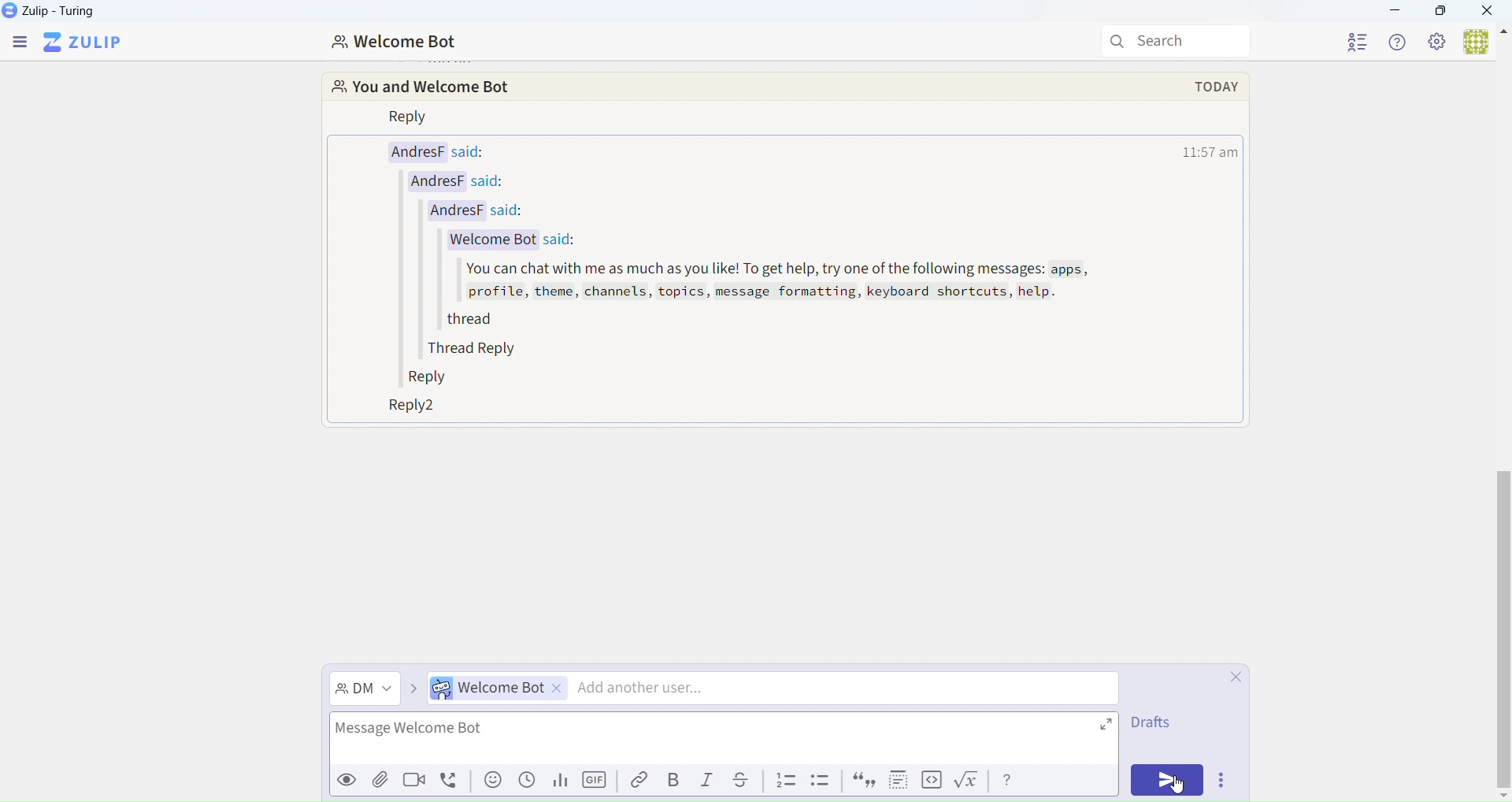  I want to click on today, so click(1217, 85).